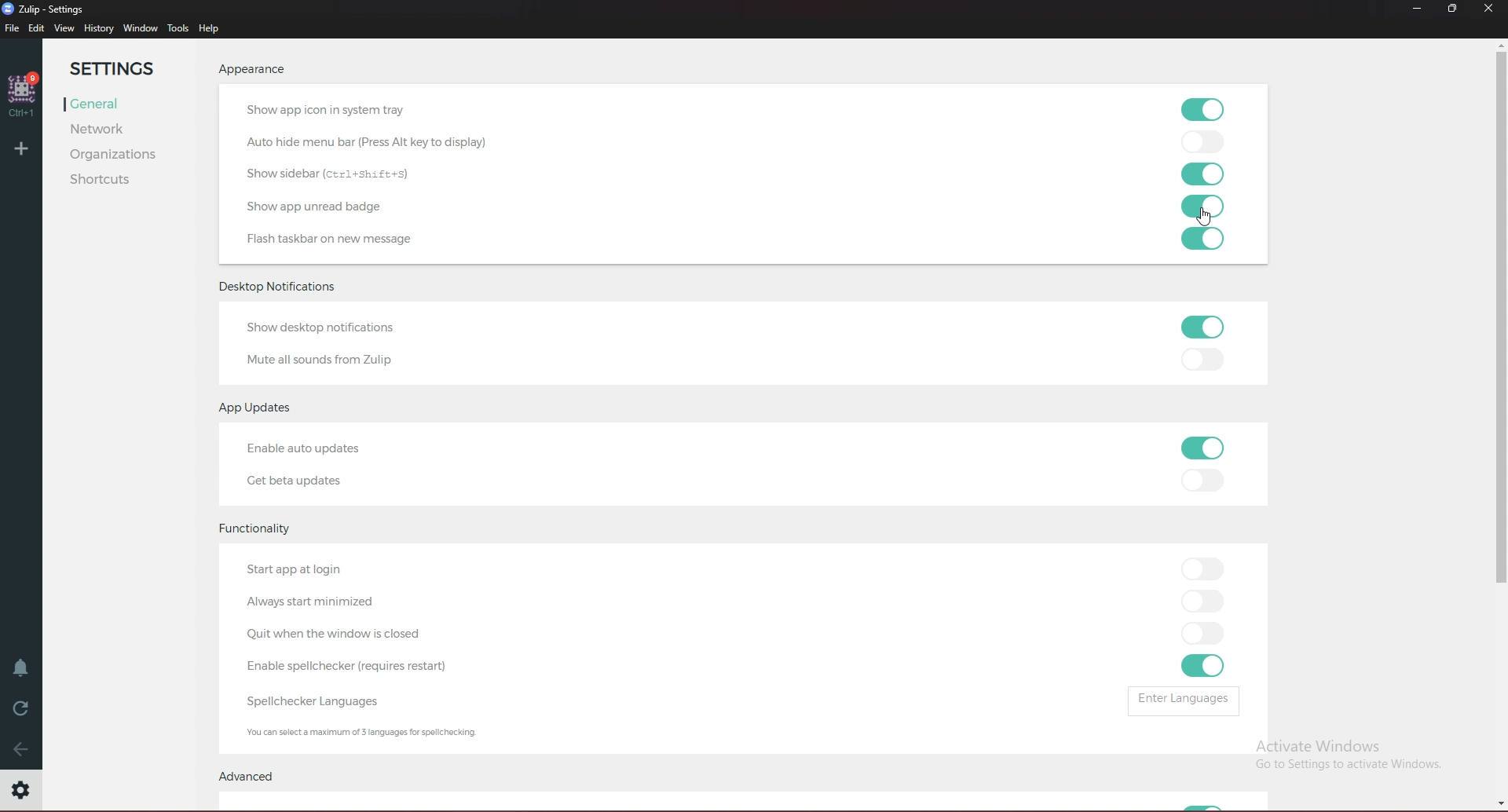  What do you see at coordinates (349, 634) in the screenshot?
I see `Quit when the window is closed` at bounding box center [349, 634].